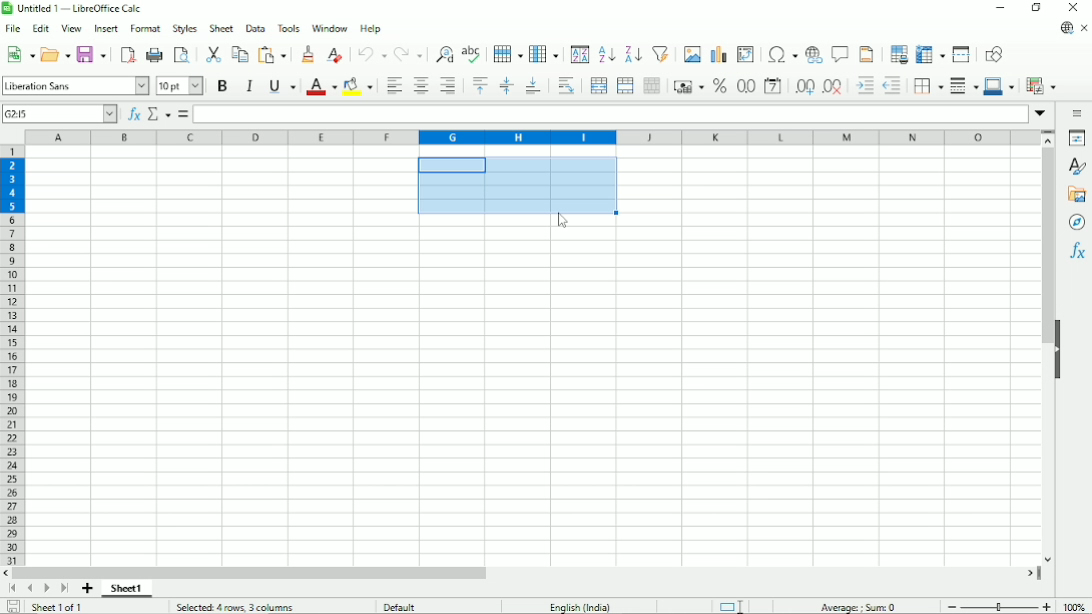 This screenshot has width=1092, height=614. What do you see at coordinates (42, 28) in the screenshot?
I see `Edit` at bounding box center [42, 28].